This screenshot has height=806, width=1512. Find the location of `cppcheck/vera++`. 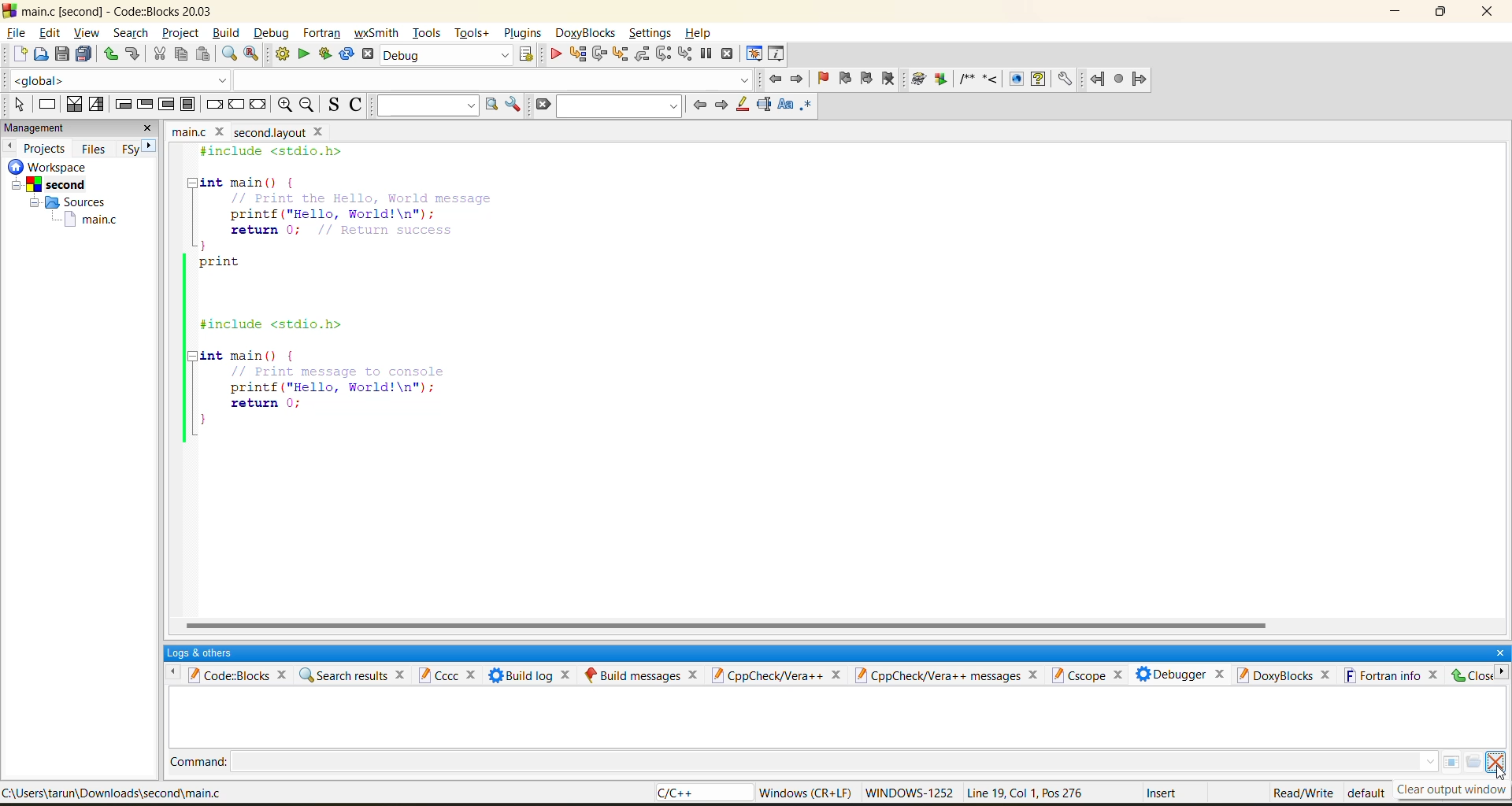

cppcheck/vera++ is located at coordinates (784, 674).